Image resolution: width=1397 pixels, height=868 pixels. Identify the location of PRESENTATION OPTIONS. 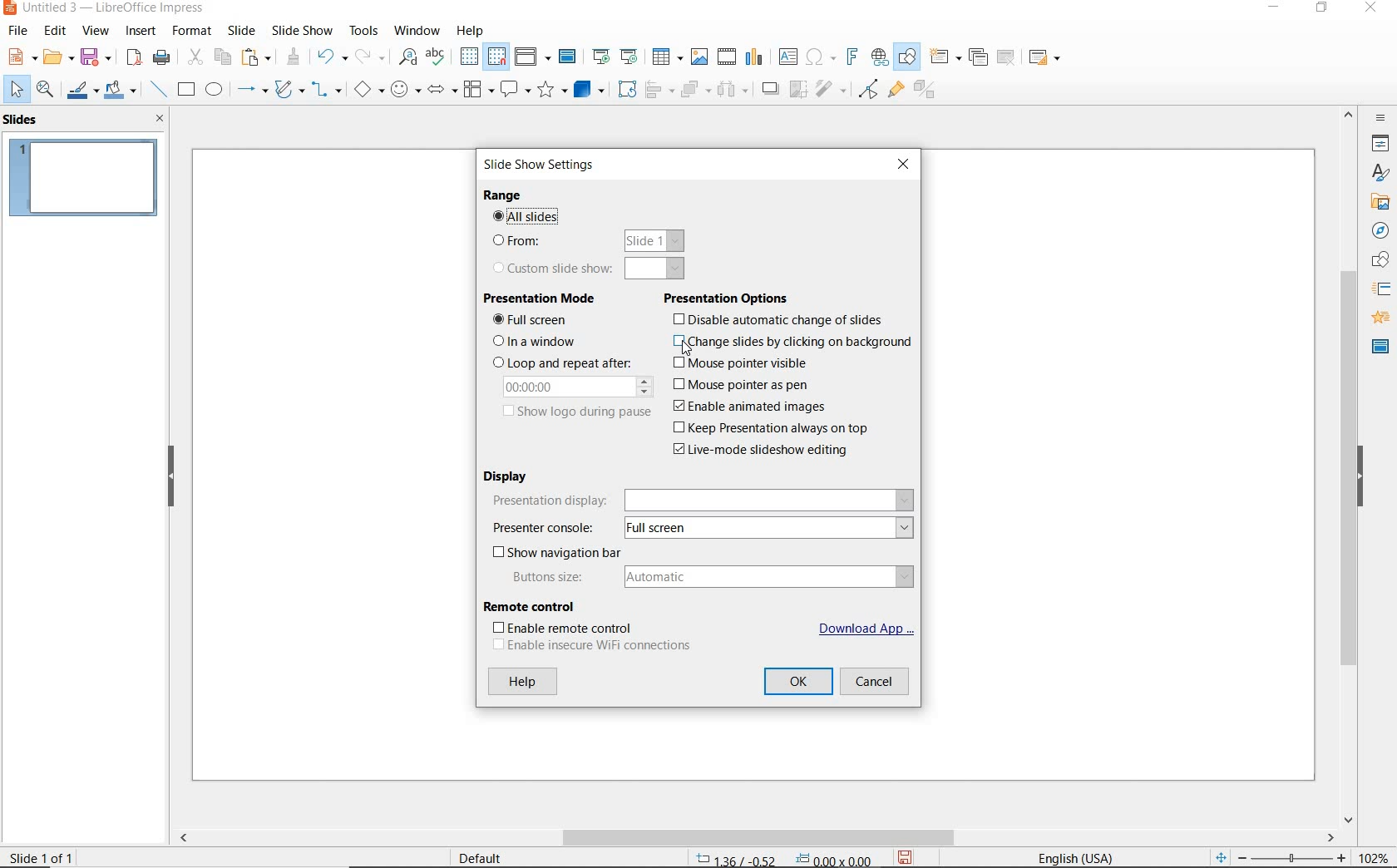
(726, 298).